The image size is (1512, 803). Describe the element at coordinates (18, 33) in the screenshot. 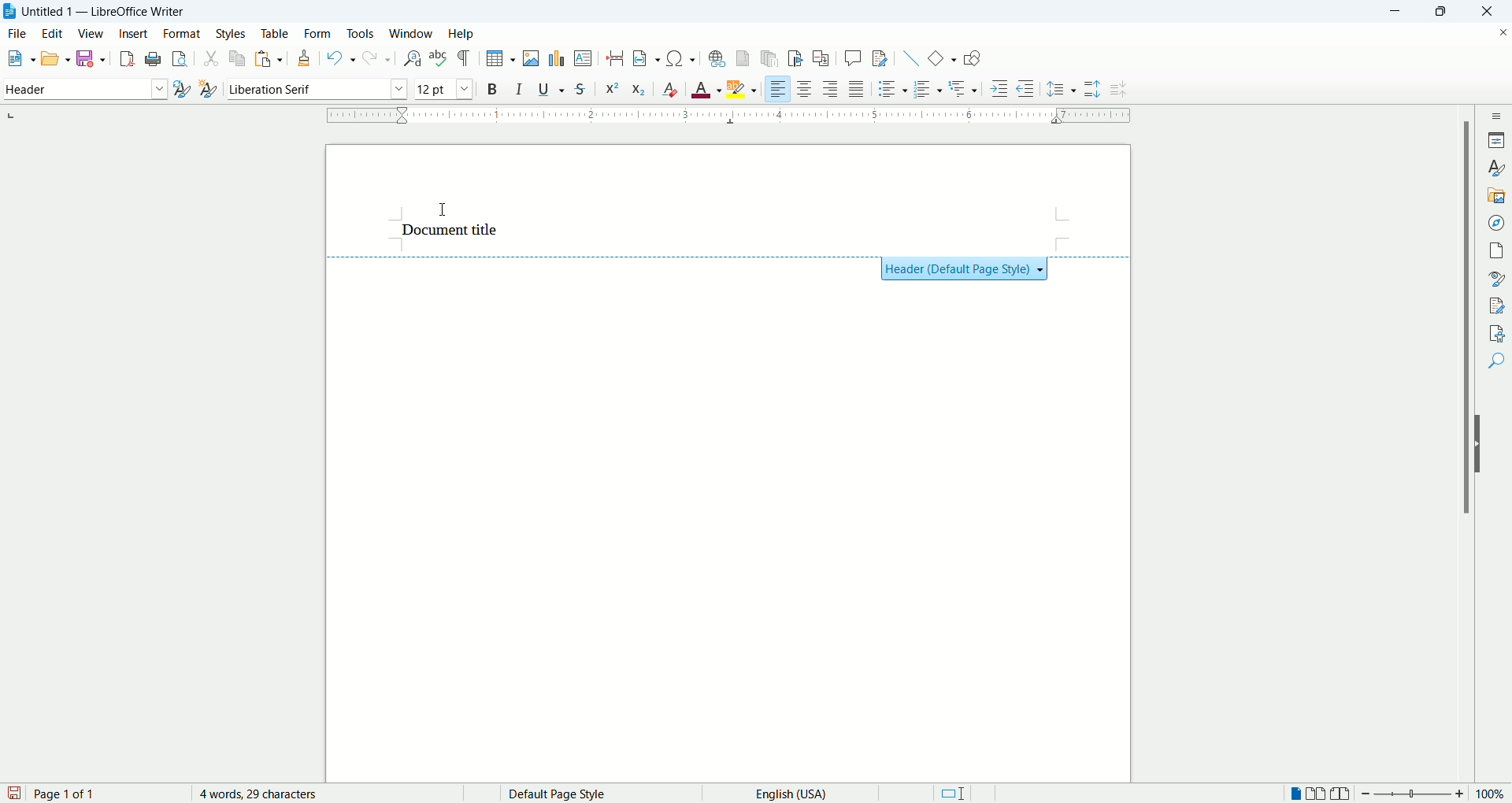

I see `file` at that location.